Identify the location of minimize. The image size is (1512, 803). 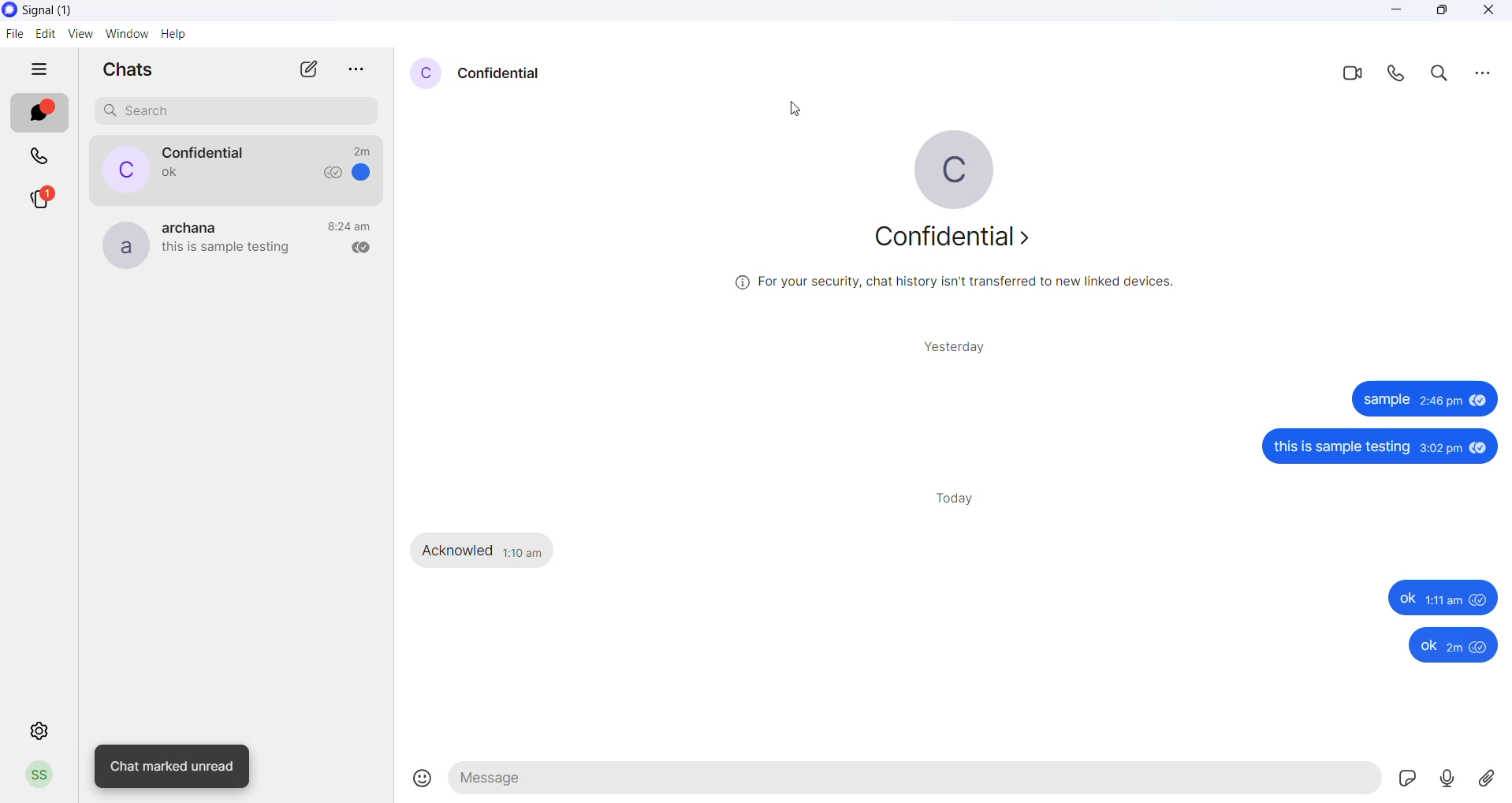
(1395, 14).